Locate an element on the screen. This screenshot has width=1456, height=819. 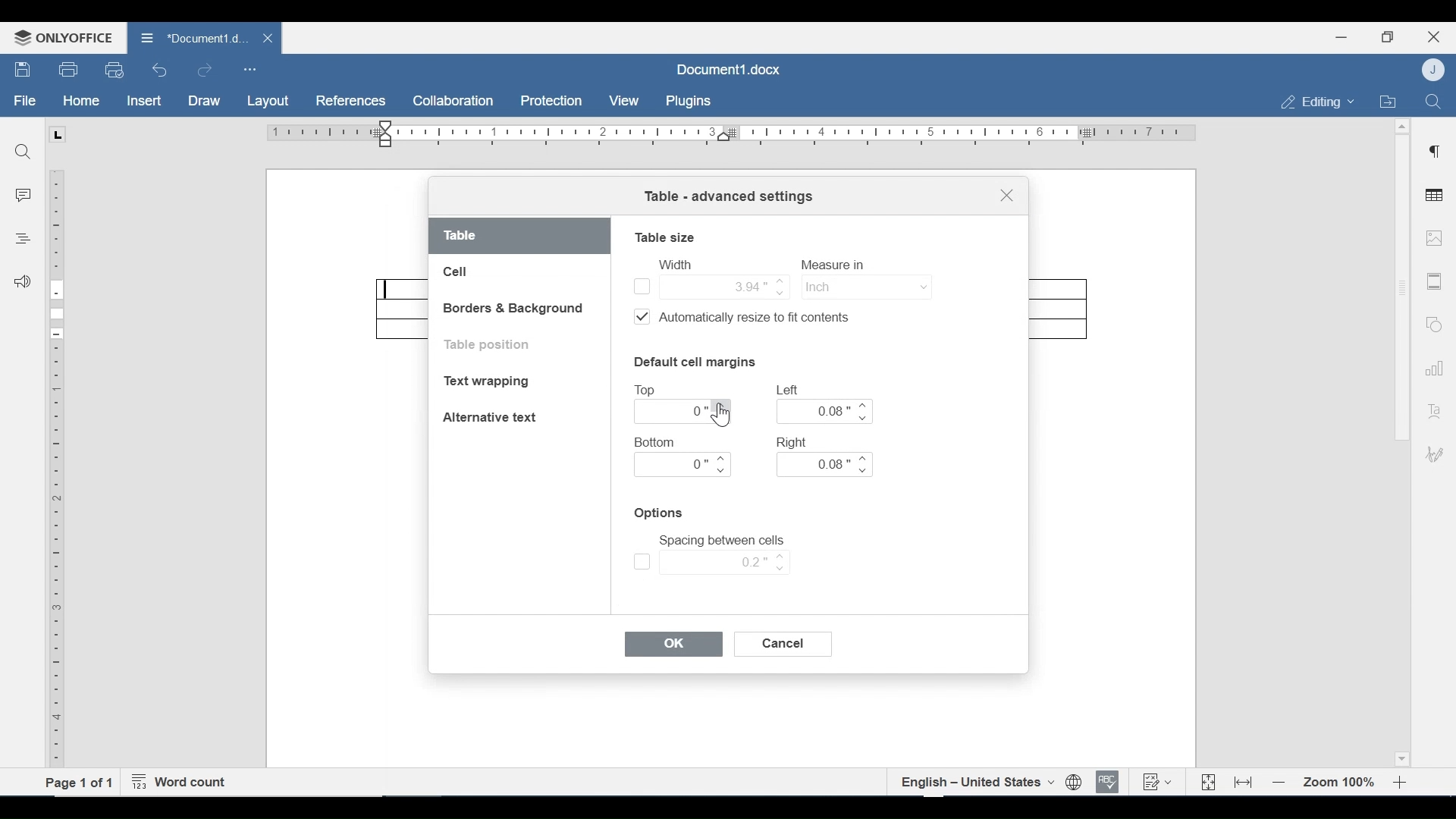
Text wrapping is located at coordinates (490, 383).